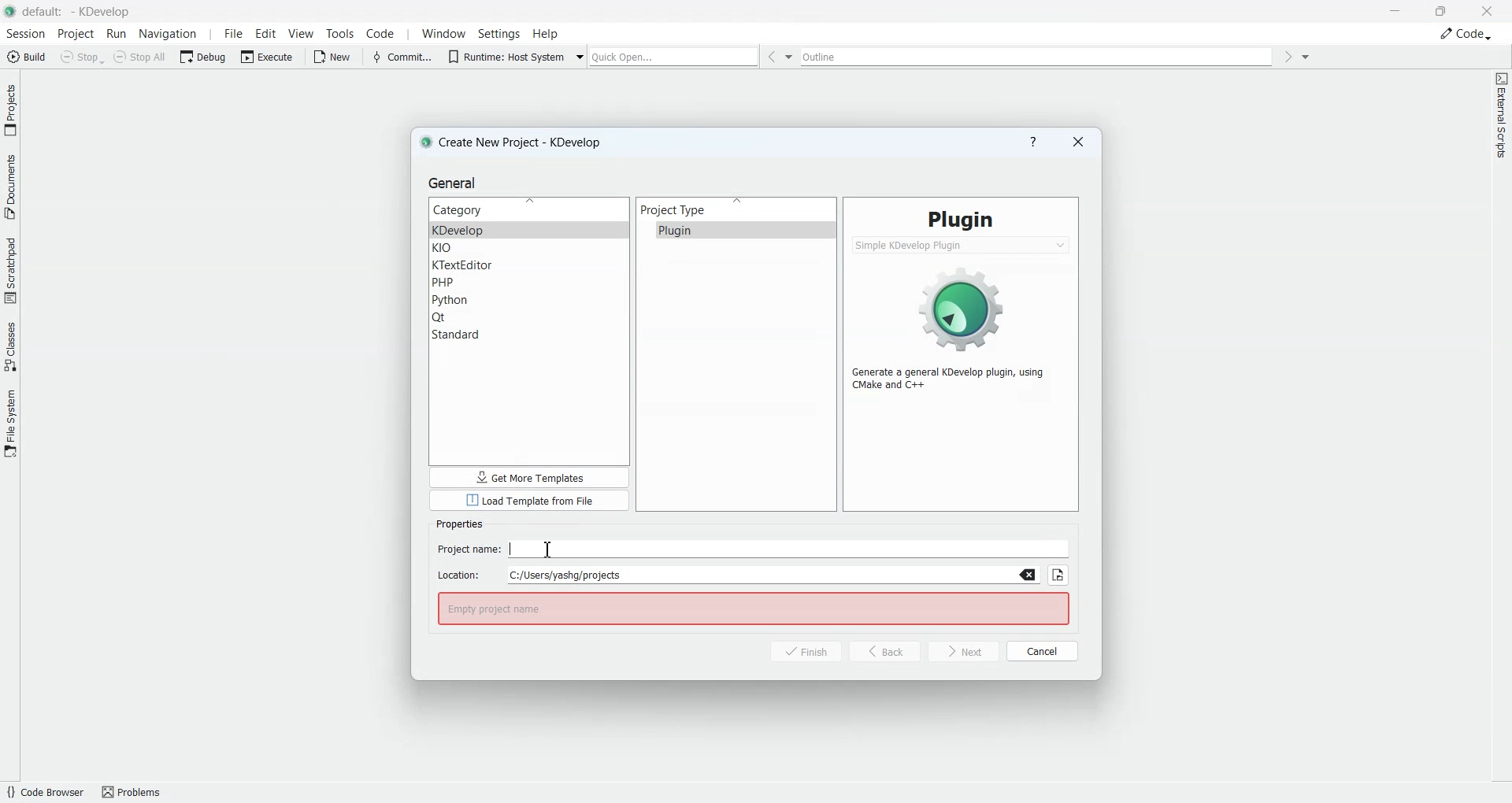  Describe the element at coordinates (44, 792) in the screenshot. I see `Code Browser` at that location.